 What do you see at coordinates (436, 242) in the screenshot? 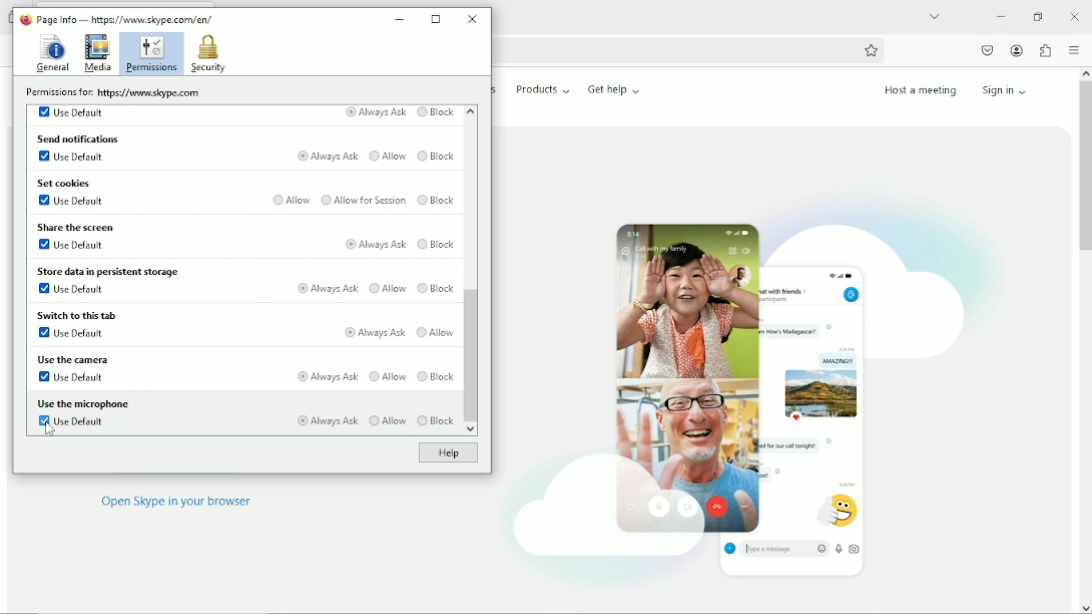
I see `Block` at bounding box center [436, 242].